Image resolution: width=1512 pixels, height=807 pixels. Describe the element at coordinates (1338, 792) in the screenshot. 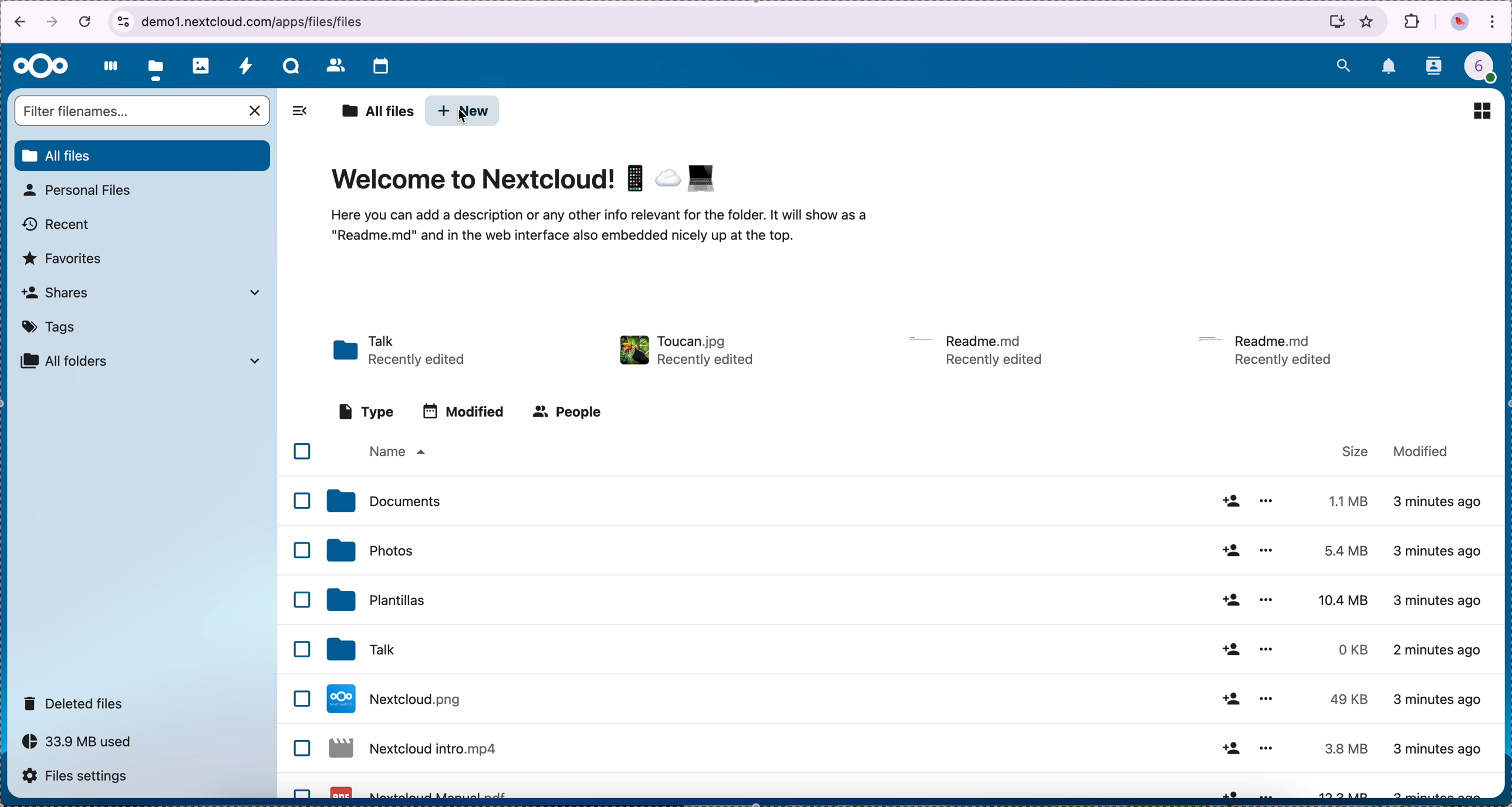

I see `12.2 MB` at that location.